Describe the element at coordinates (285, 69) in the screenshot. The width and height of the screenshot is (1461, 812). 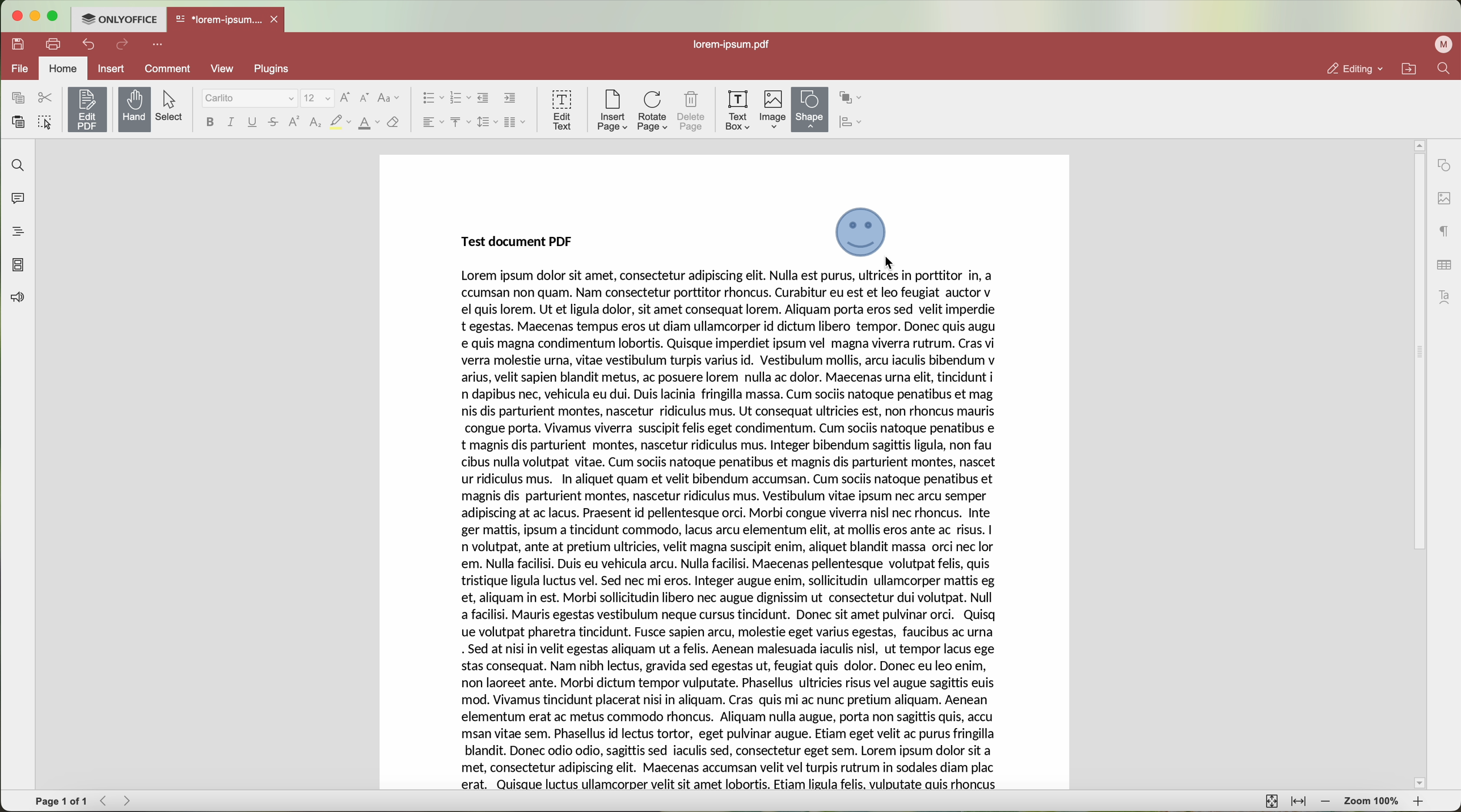
I see `plugins` at that location.